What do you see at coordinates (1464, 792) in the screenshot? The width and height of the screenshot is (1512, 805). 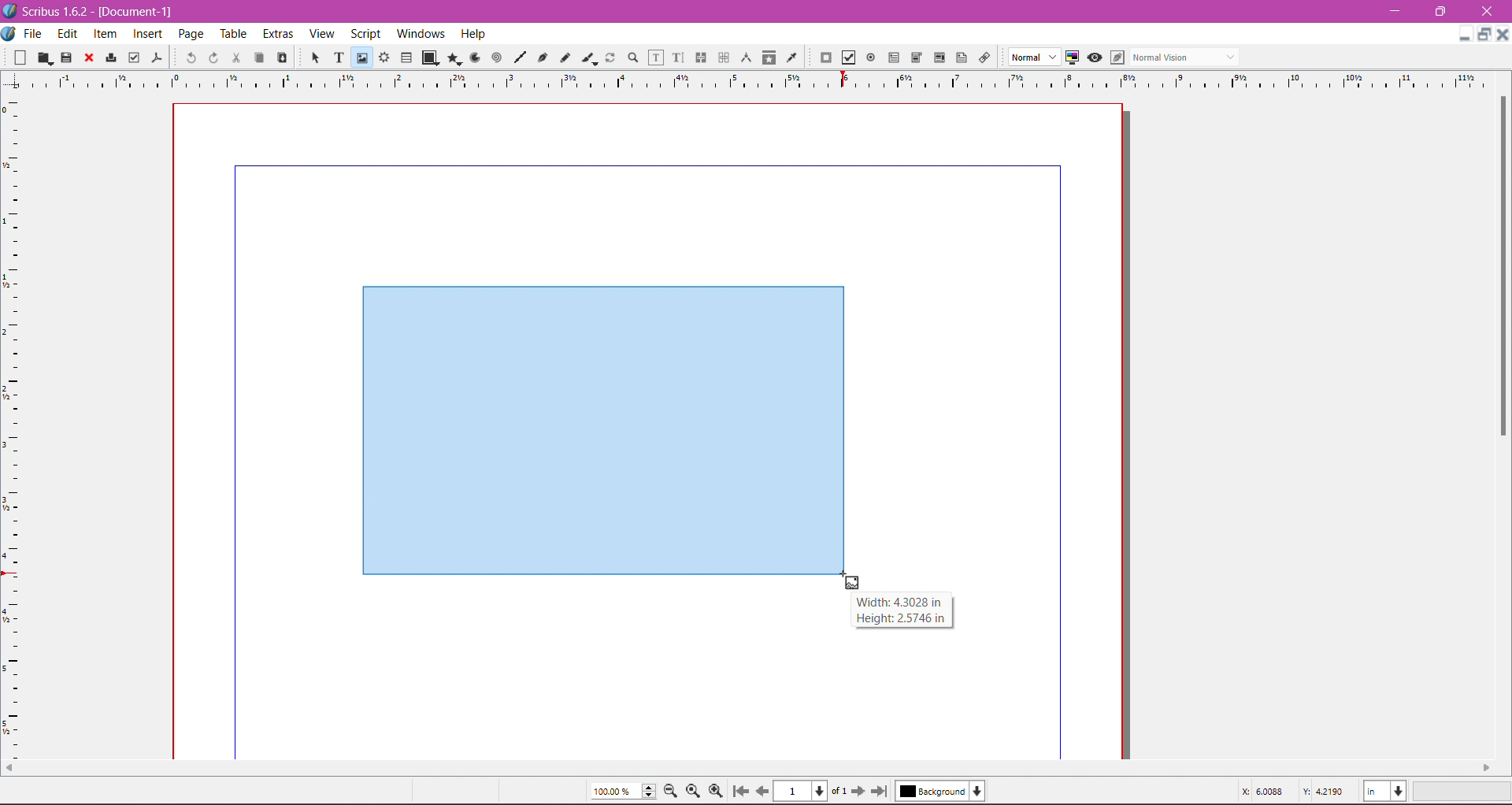 I see `Zoom Level` at bounding box center [1464, 792].